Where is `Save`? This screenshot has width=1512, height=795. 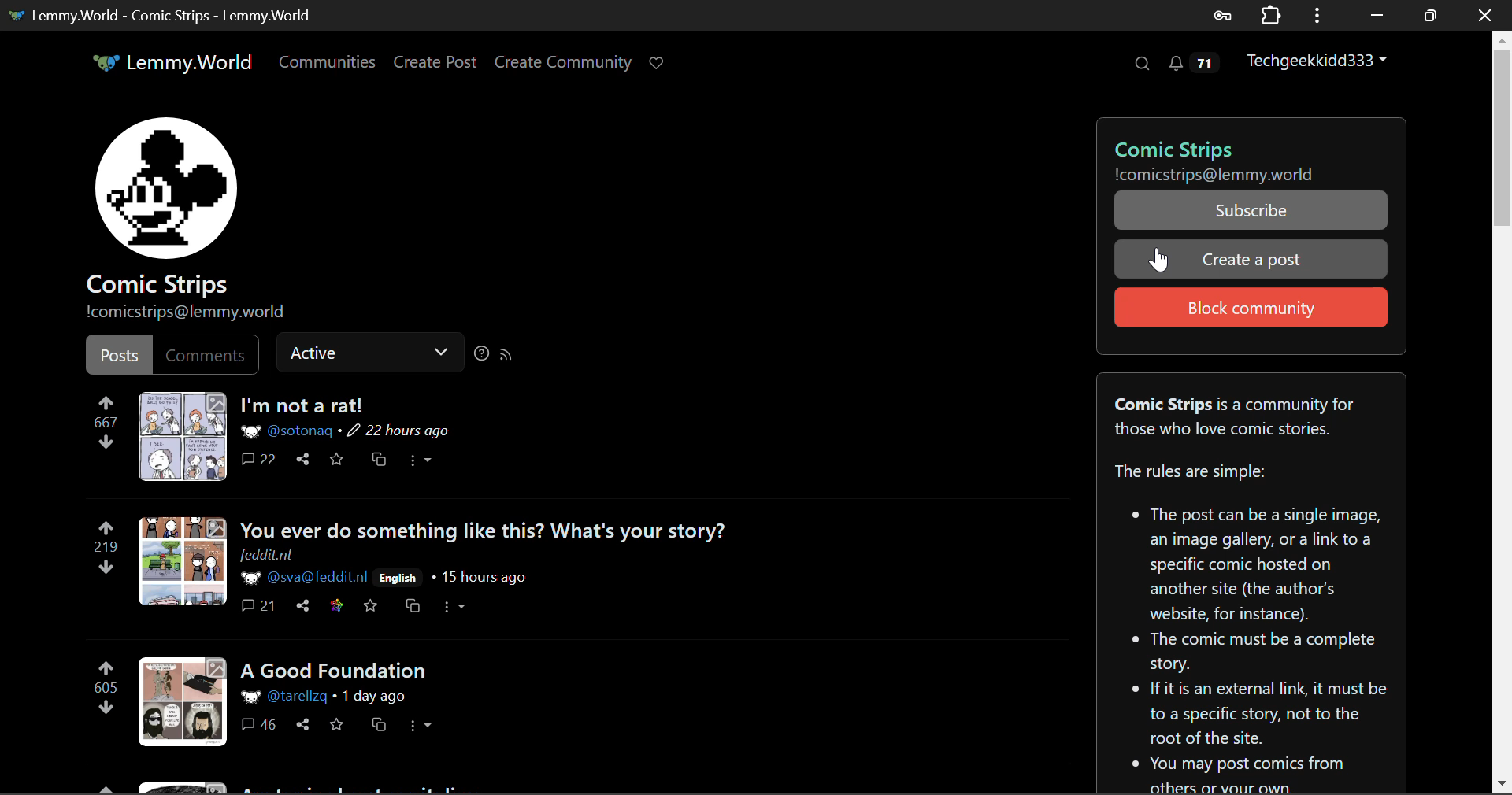 Save is located at coordinates (341, 723).